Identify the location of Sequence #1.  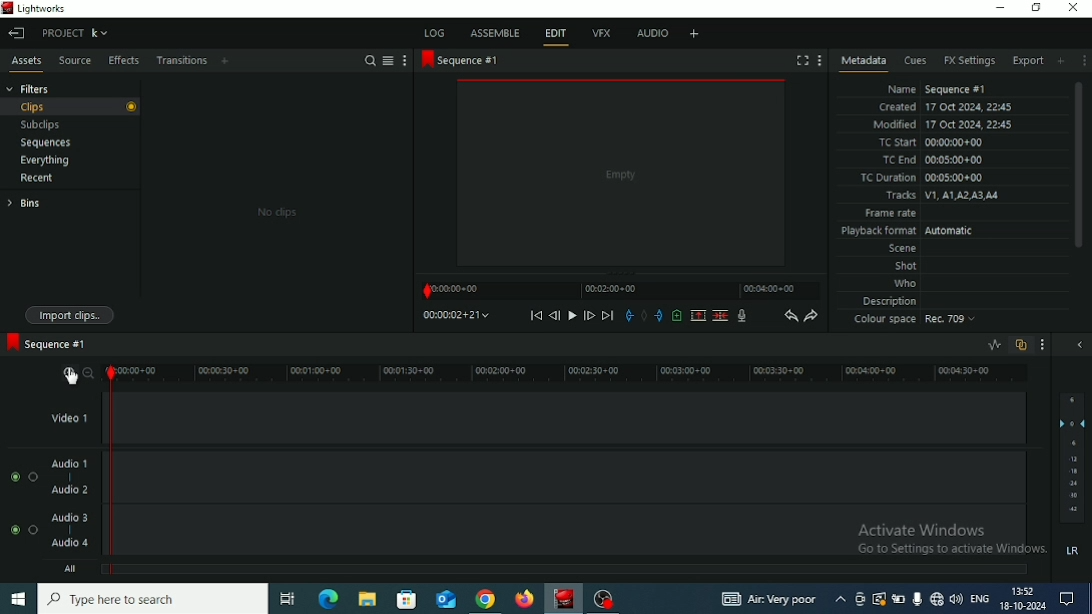
(45, 342).